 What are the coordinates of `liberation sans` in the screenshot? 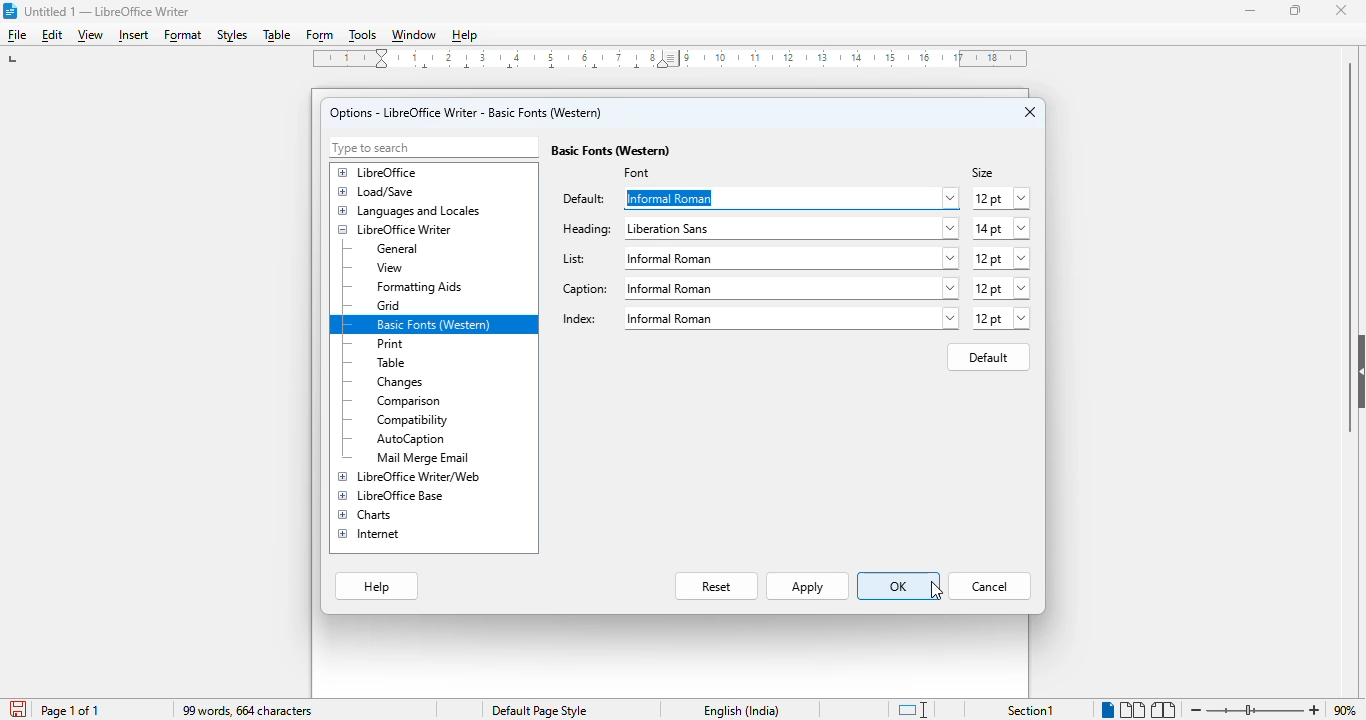 It's located at (792, 289).